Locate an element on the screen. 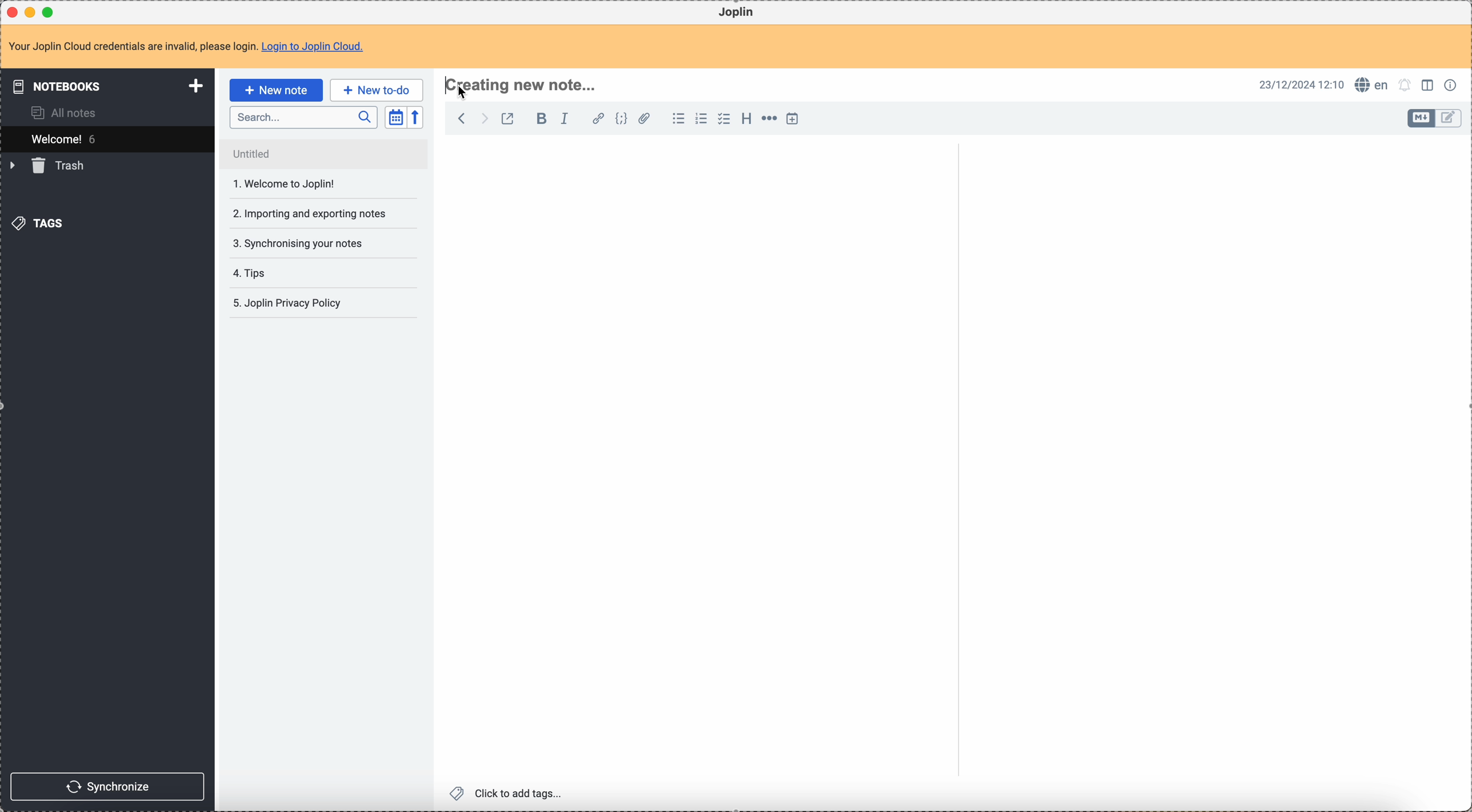 The width and height of the screenshot is (1472, 812). numbered list is located at coordinates (701, 120).